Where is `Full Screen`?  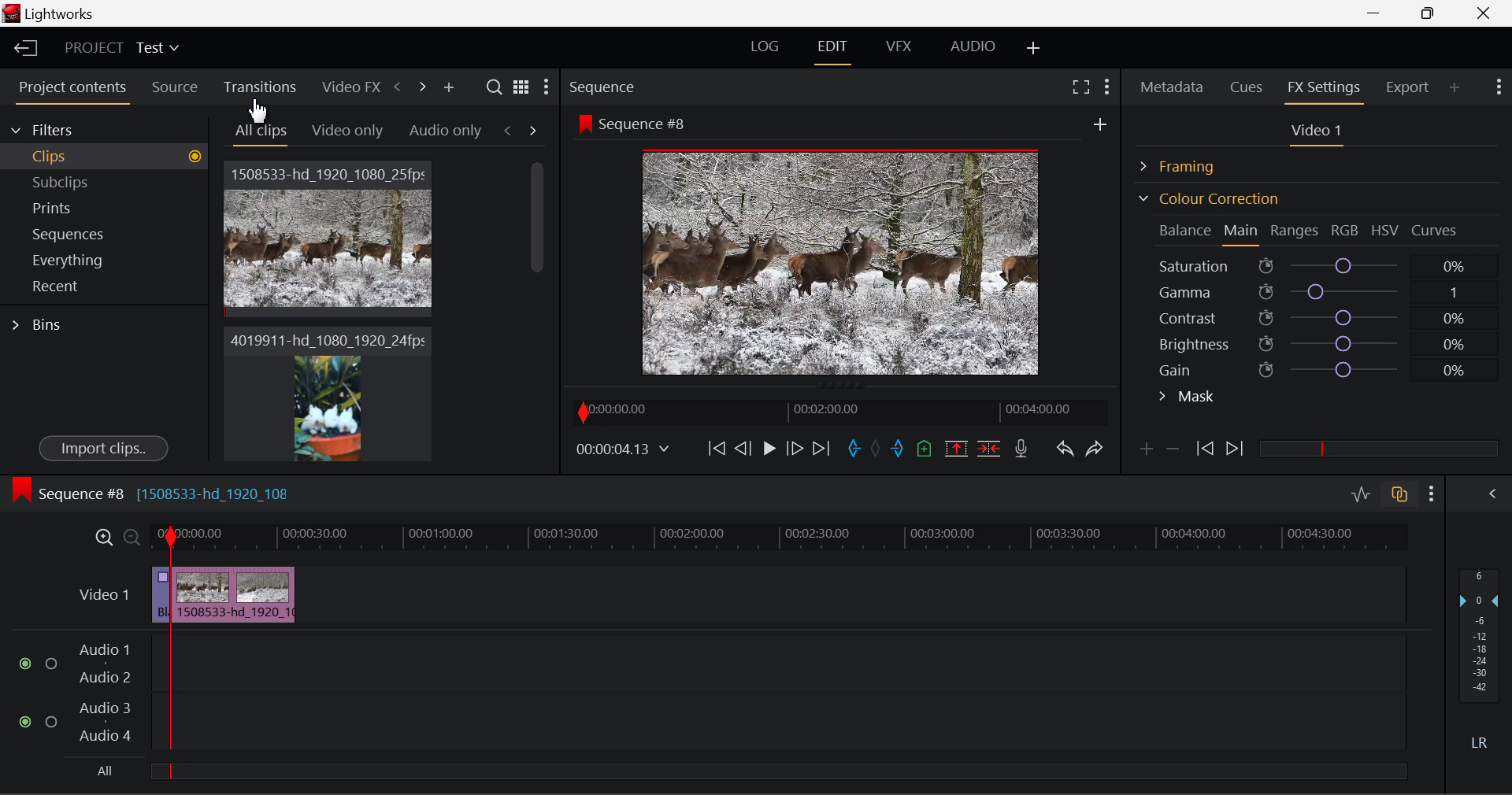 Full Screen is located at coordinates (1080, 86).